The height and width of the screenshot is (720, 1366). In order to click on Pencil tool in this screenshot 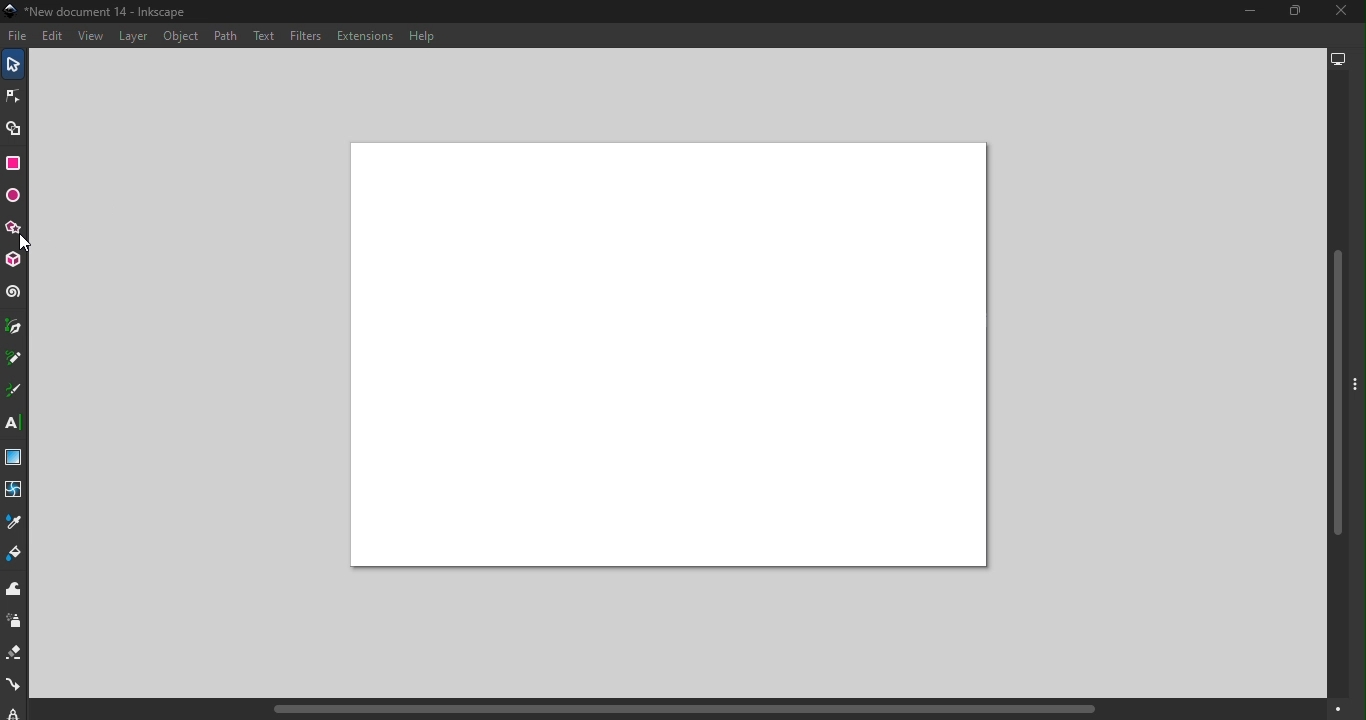, I will do `click(14, 360)`.